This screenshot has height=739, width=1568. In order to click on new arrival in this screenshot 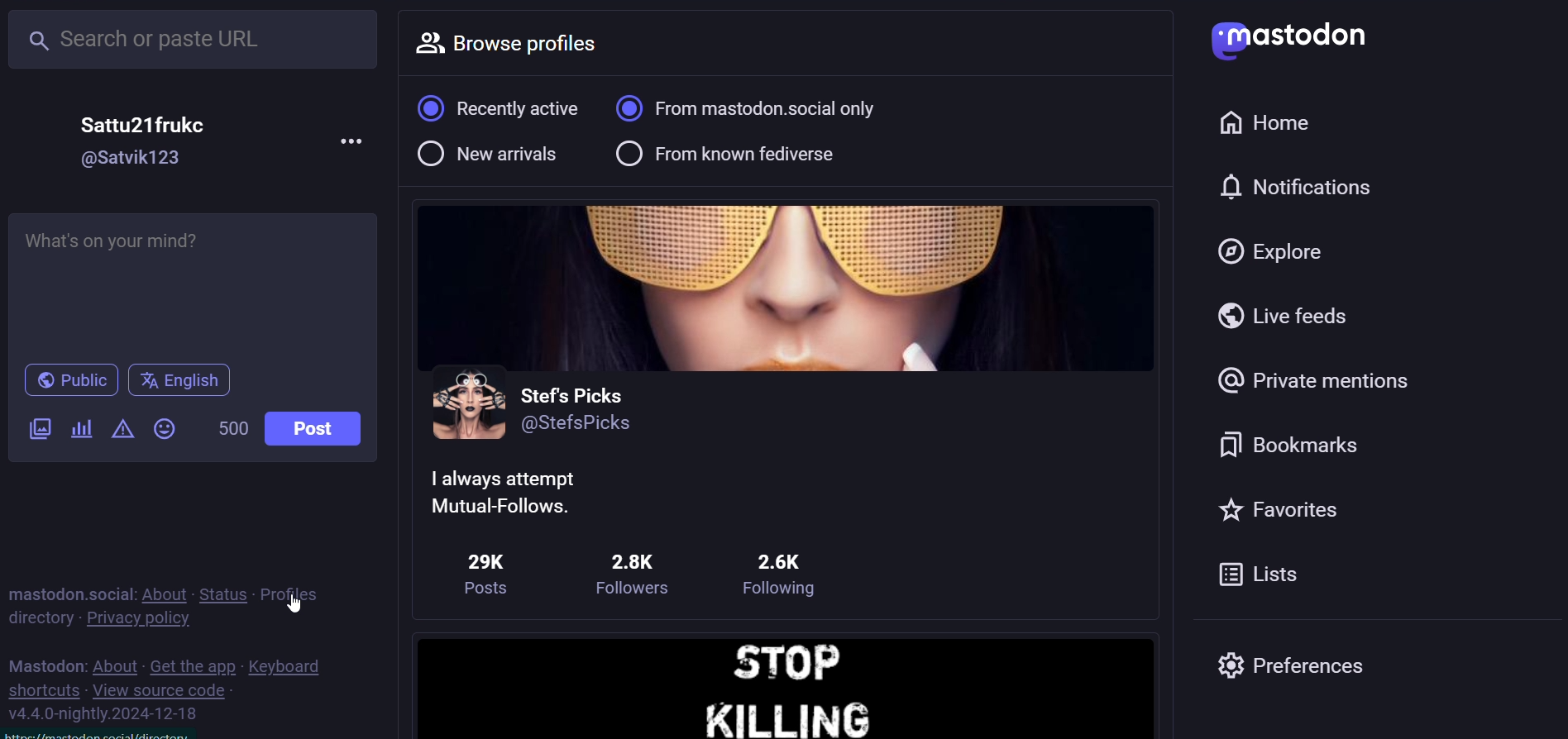, I will do `click(489, 159)`.